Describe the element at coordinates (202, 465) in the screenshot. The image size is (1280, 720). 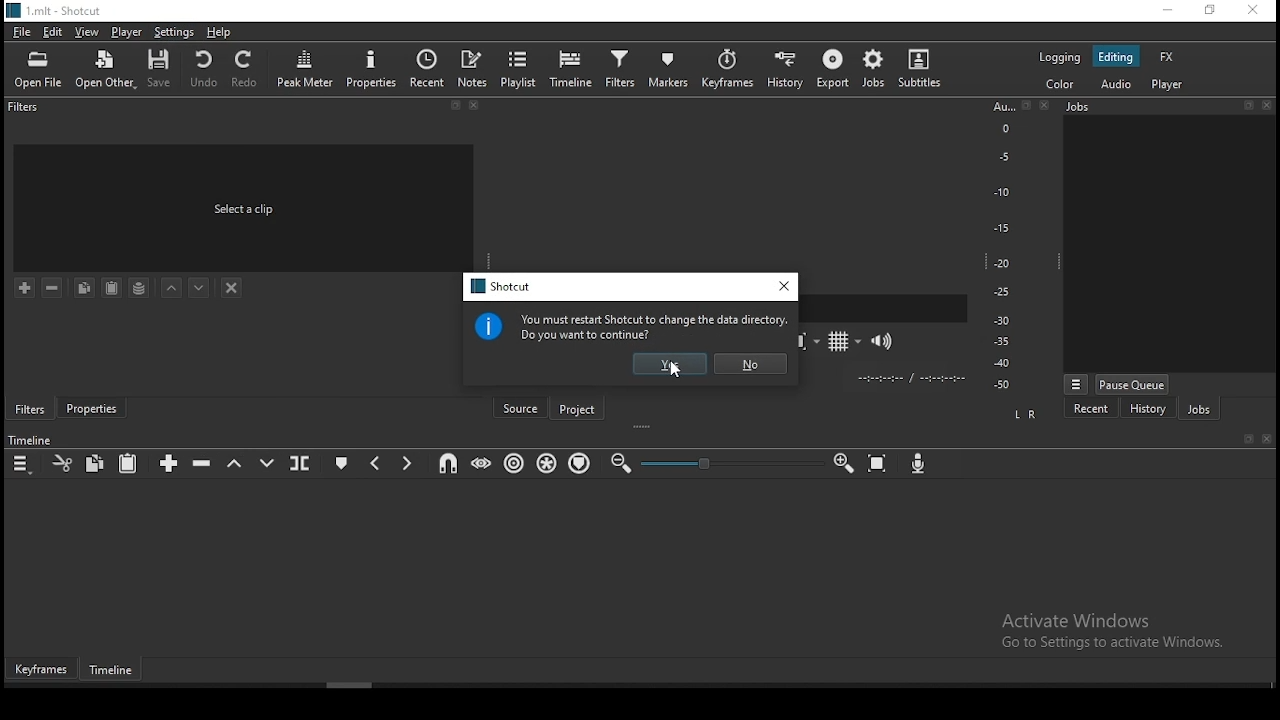
I see `ripple delete` at that location.